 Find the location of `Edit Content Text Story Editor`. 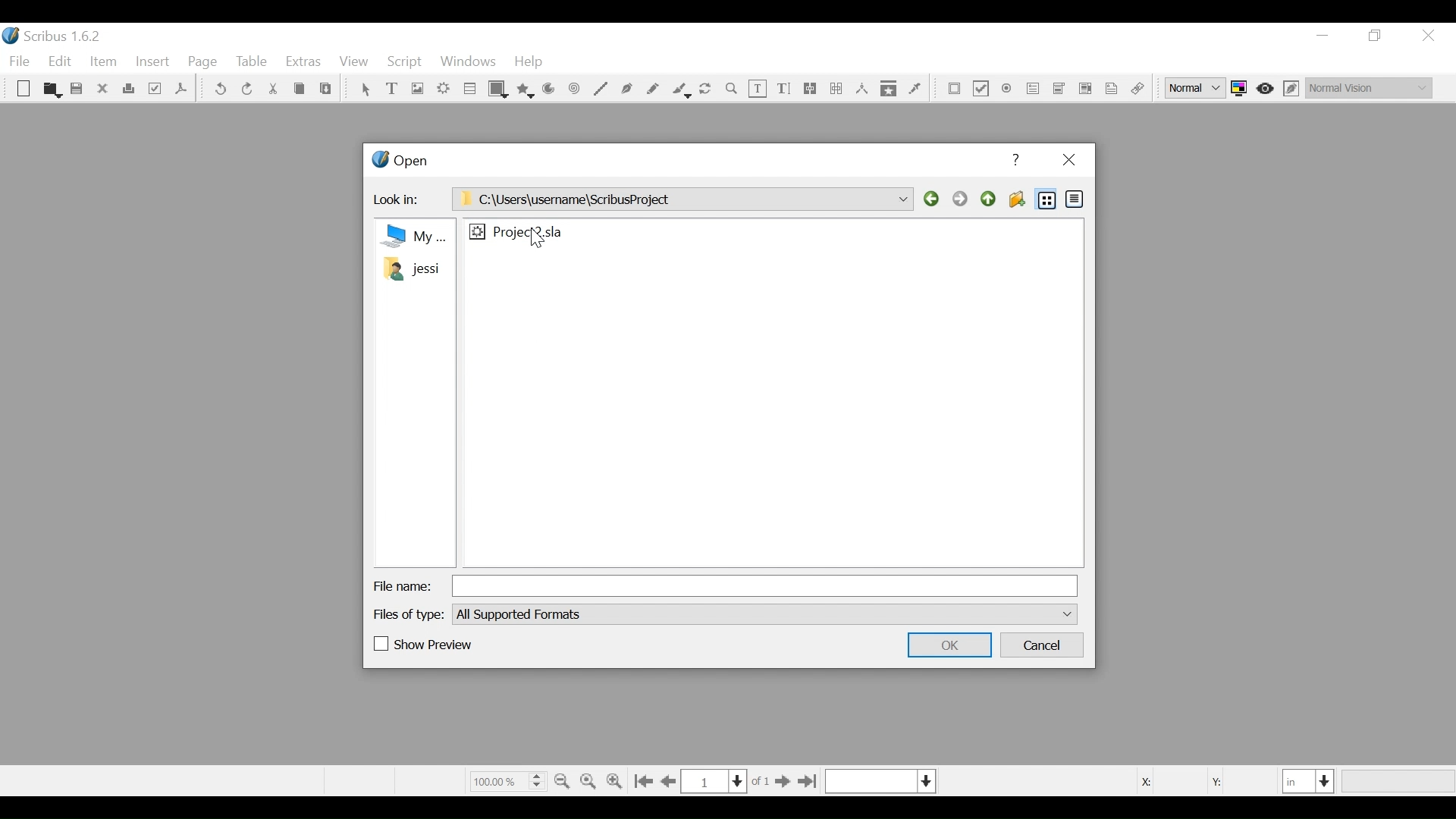

Edit Content Text Story Editor is located at coordinates (783, 89).